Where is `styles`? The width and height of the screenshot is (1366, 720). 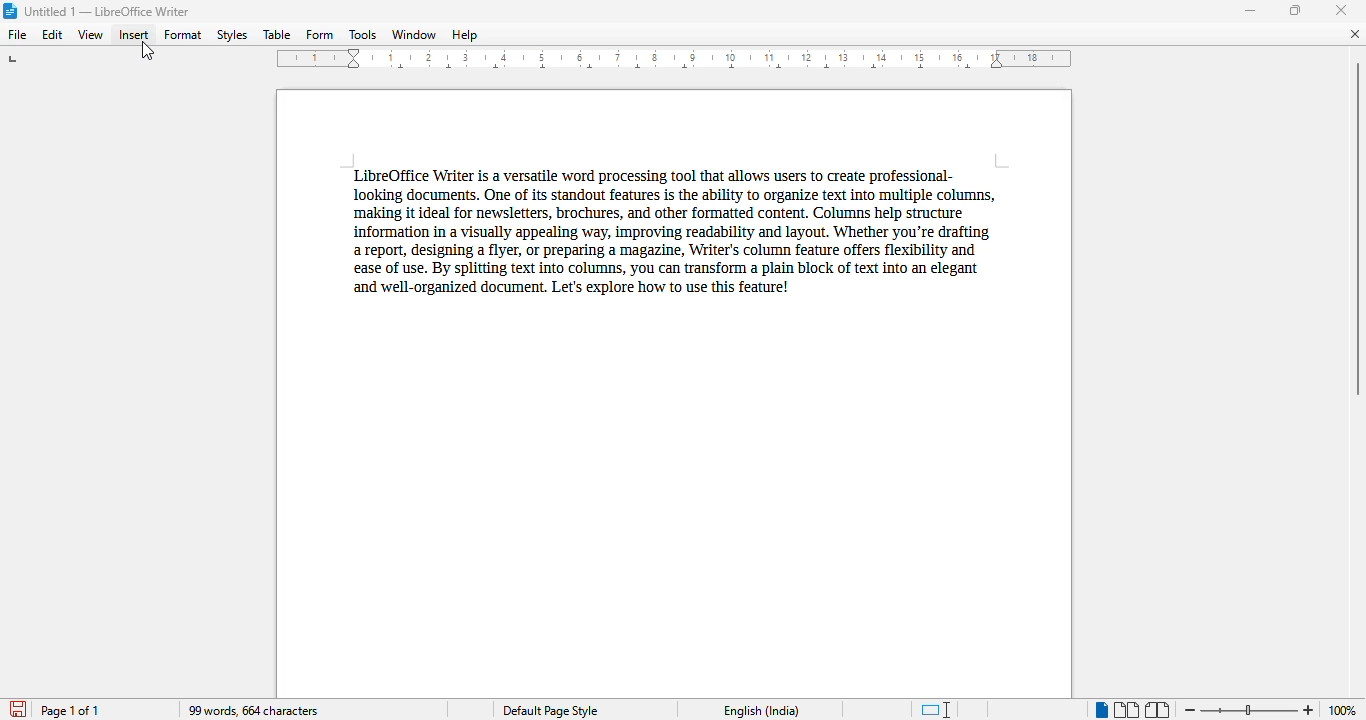 styles is located at coordinates (231, 35).